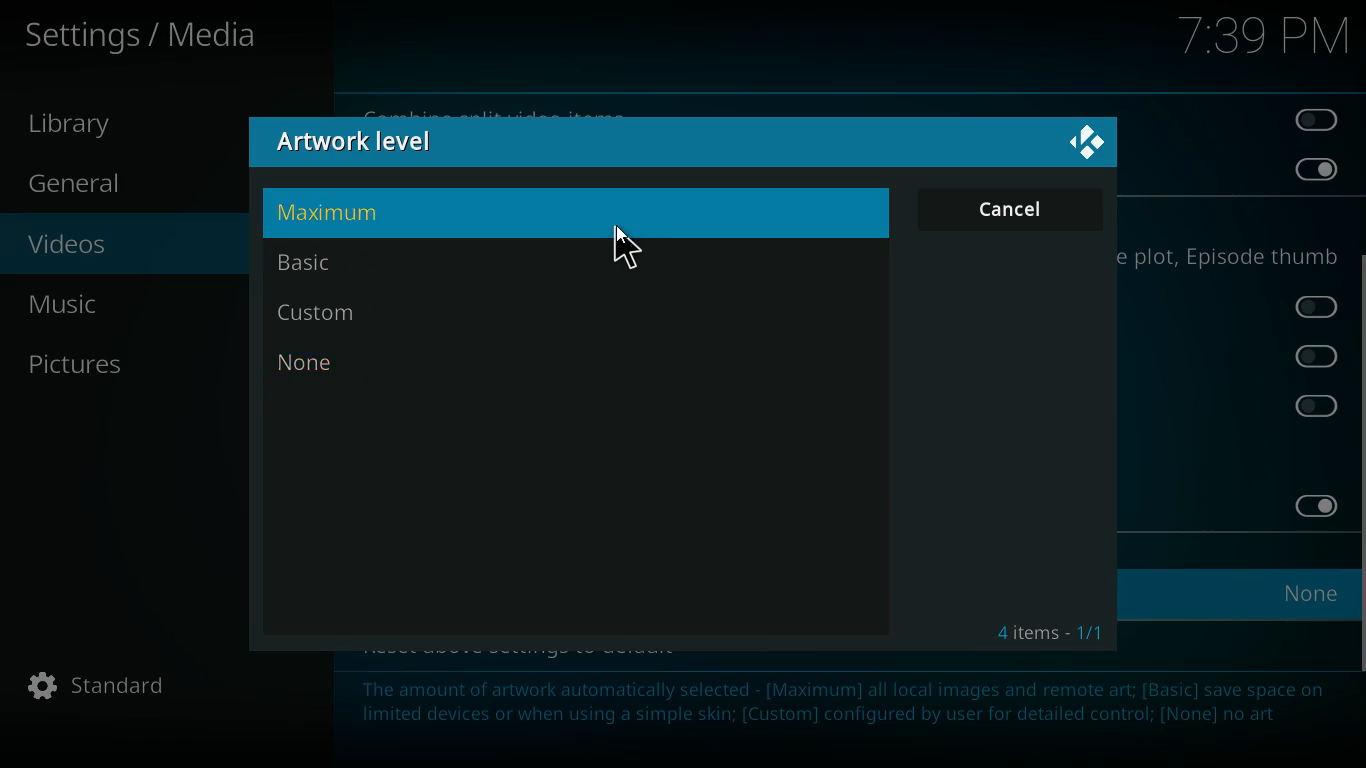 This screenshot has width=1366, height=768. I want to click on Library, so click(89, 125).